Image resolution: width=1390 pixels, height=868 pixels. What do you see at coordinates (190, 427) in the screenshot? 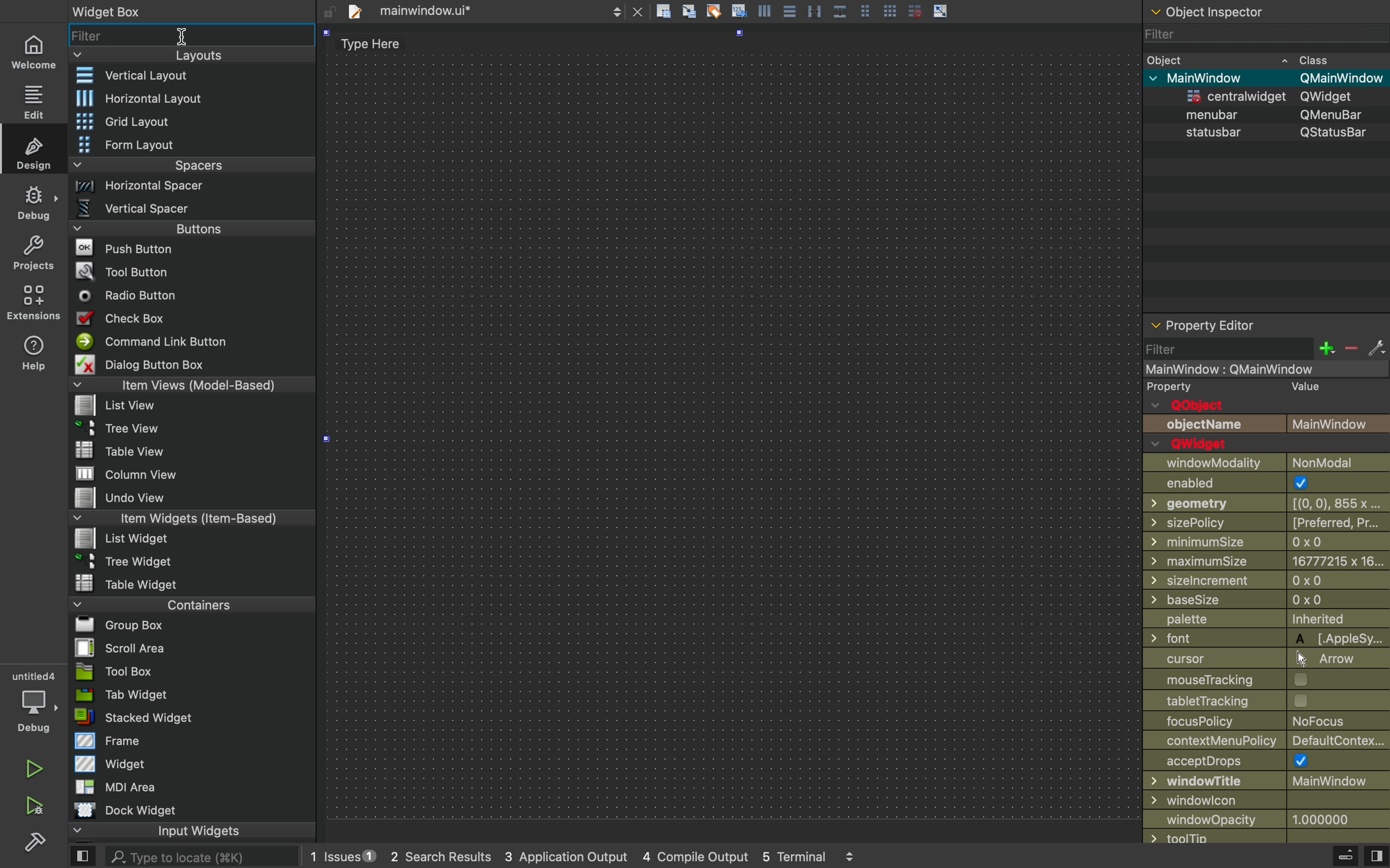
I see `tree view` at bounding box center [190, 427].